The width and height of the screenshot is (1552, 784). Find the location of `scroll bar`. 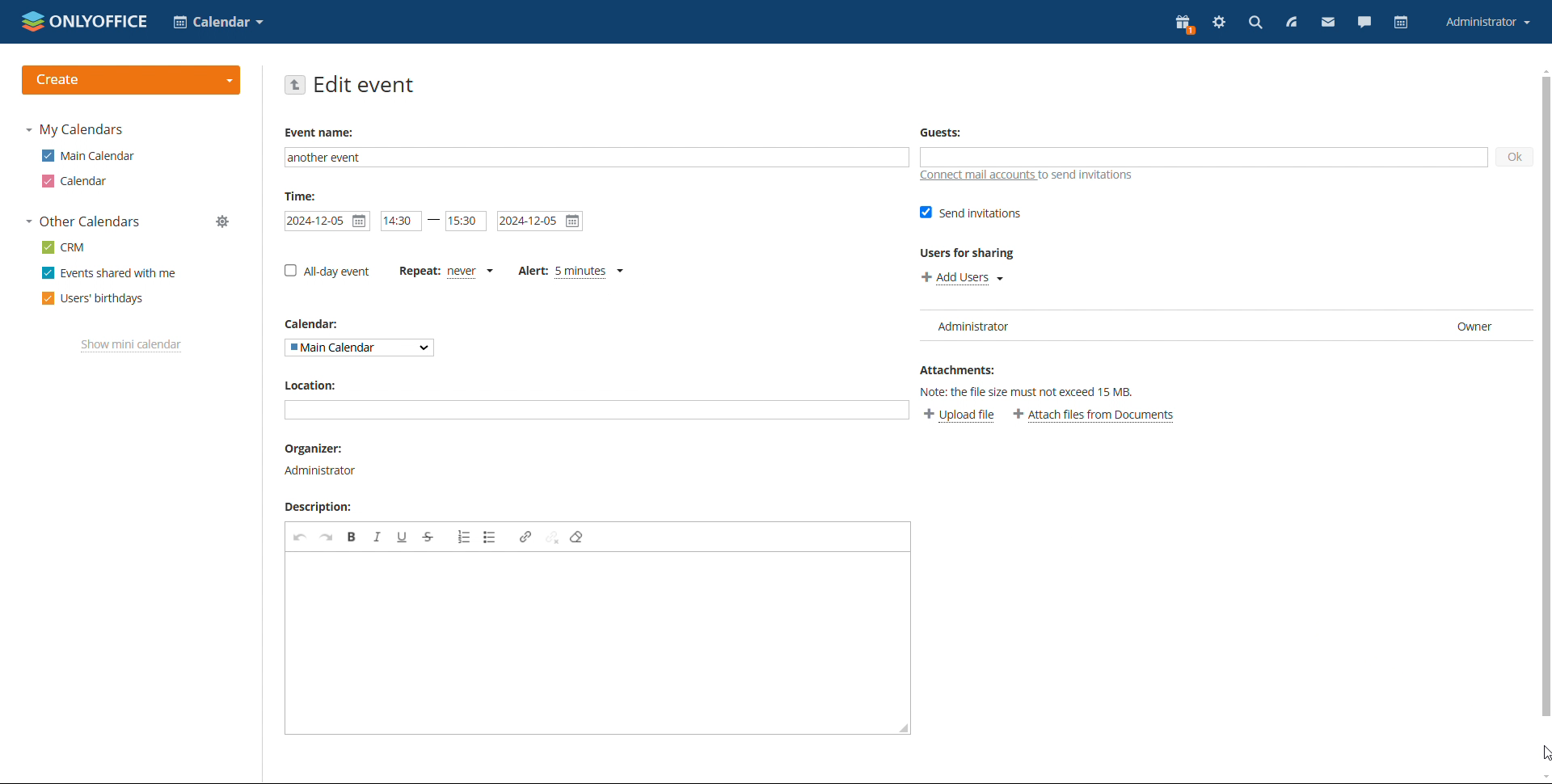

scroll bar is located at coordinates (1542, 398).